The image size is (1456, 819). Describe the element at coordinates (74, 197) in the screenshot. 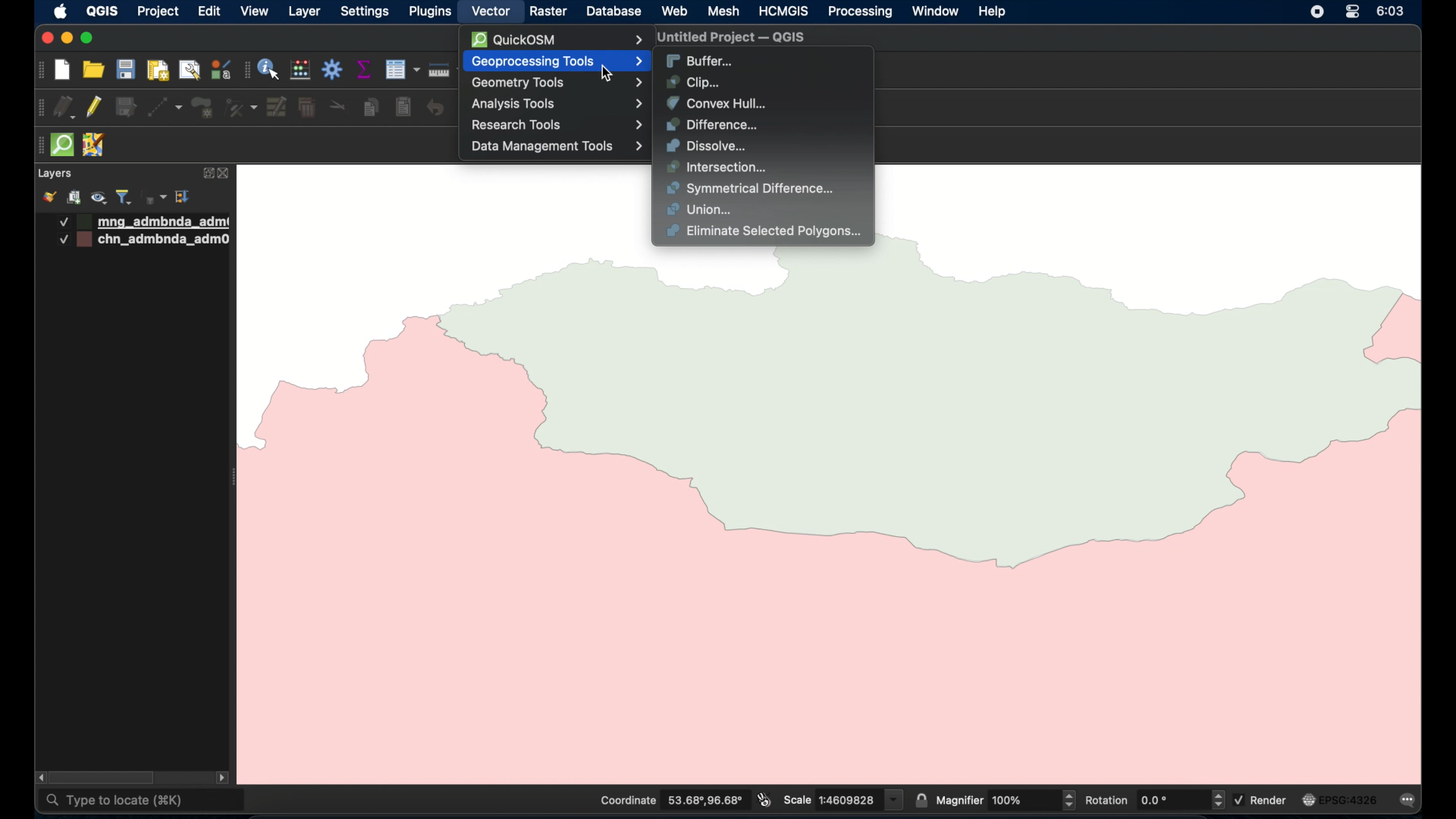

I see `add group` at that location.